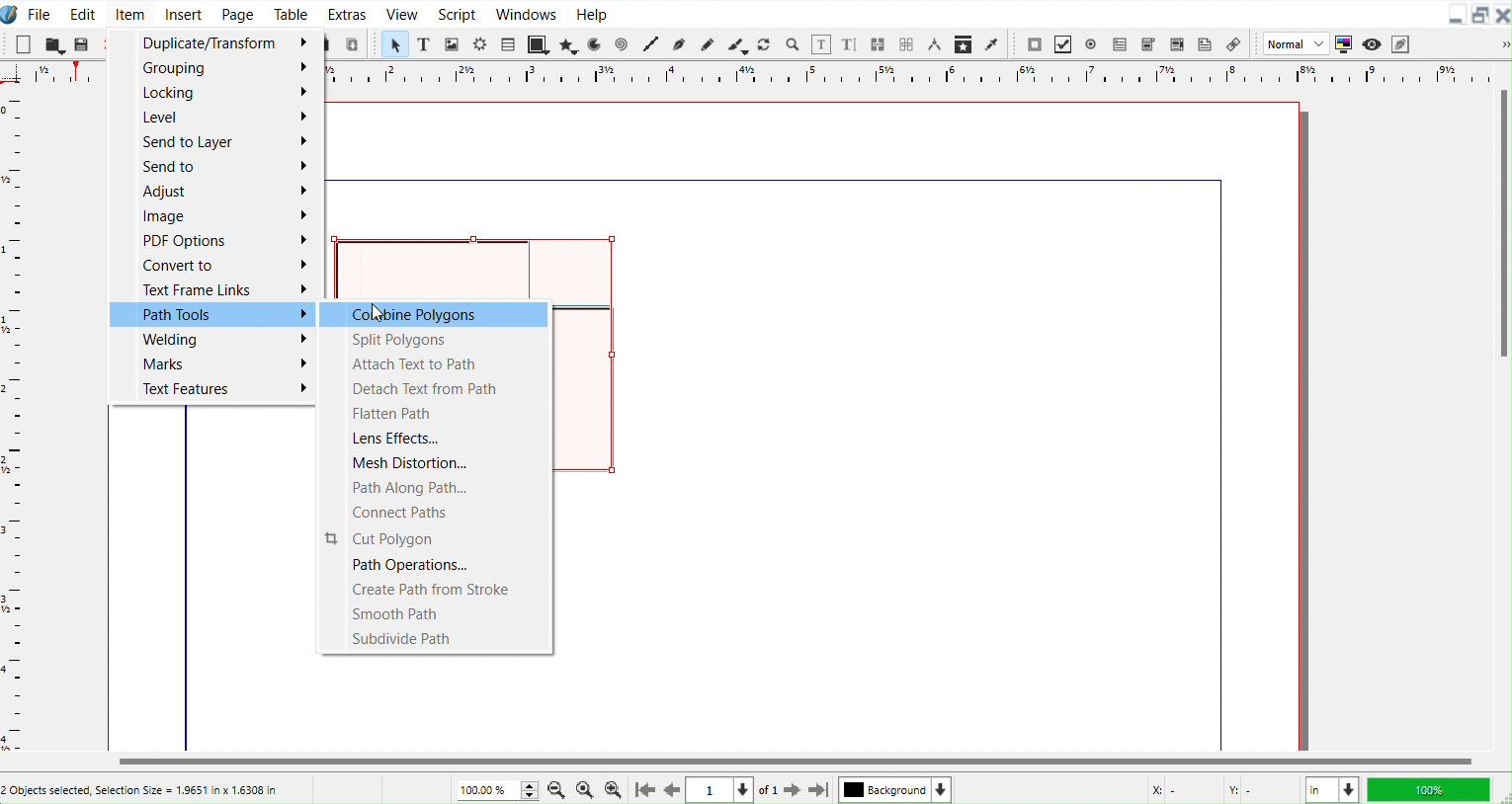 The width and height of the screenshot is (1512, 804). What do you see at coordinates (1148, 43) in the screenshot?
I see `PDF Combo Box` at bounding box center [1148, 43].